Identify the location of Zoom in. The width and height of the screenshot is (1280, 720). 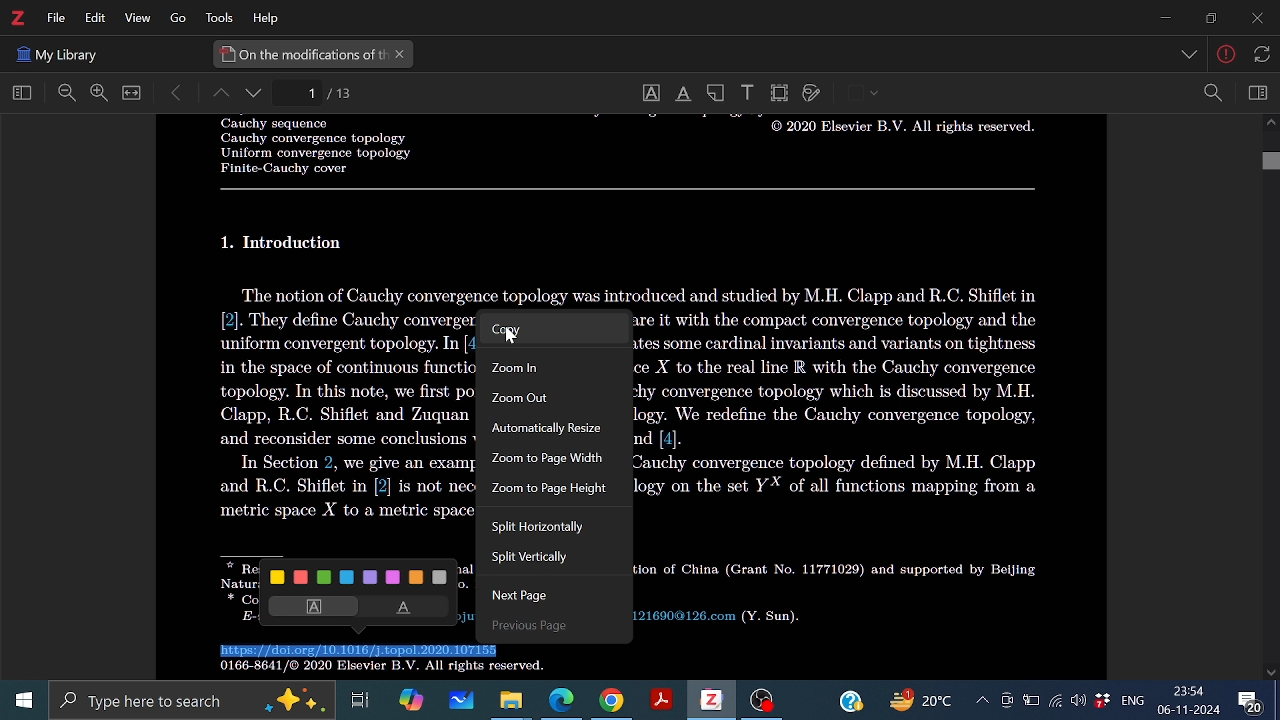
(549, 366).